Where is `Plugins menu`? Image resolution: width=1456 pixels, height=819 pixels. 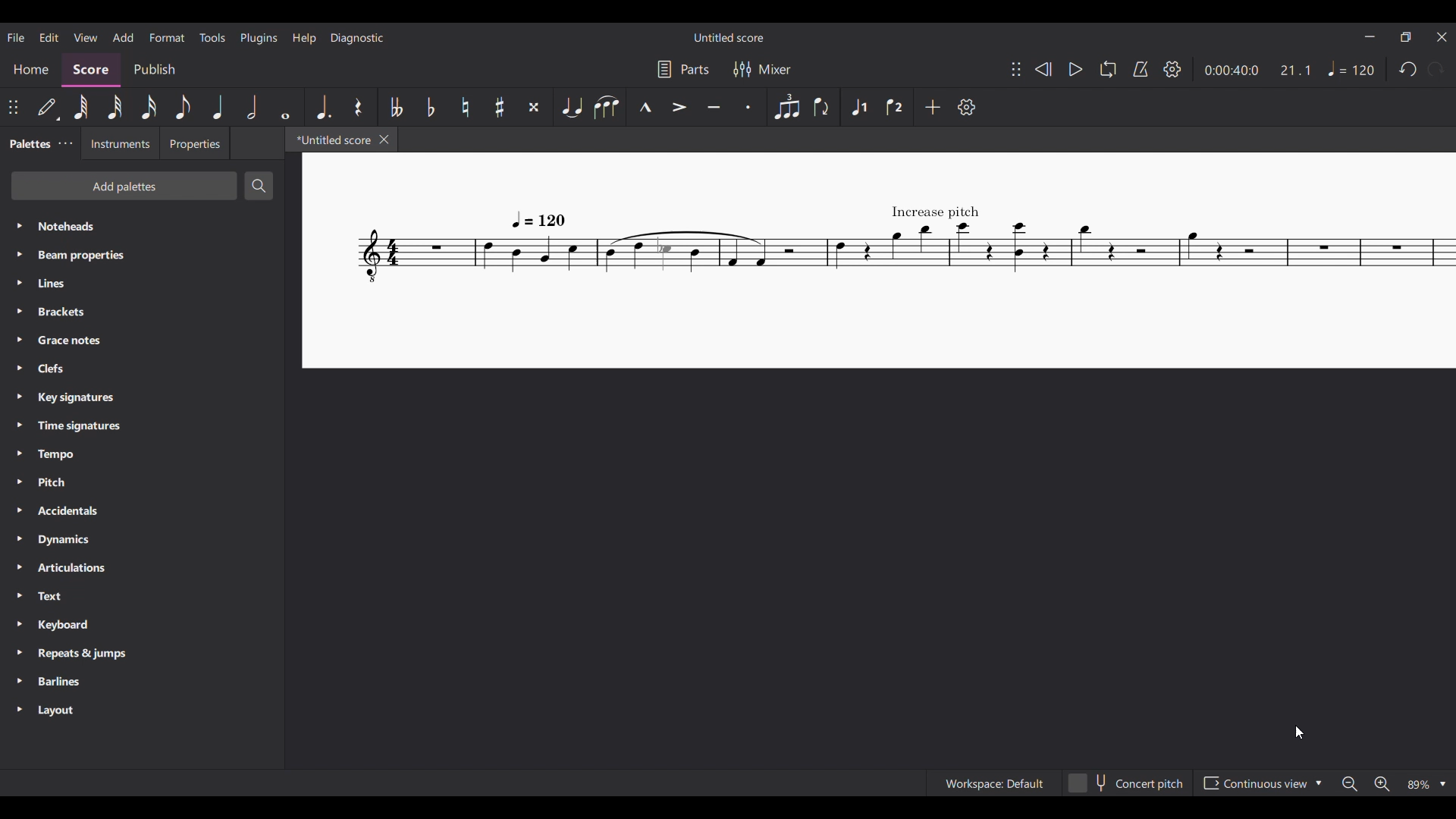 Plugins menu is located at coordinates (259, 38).